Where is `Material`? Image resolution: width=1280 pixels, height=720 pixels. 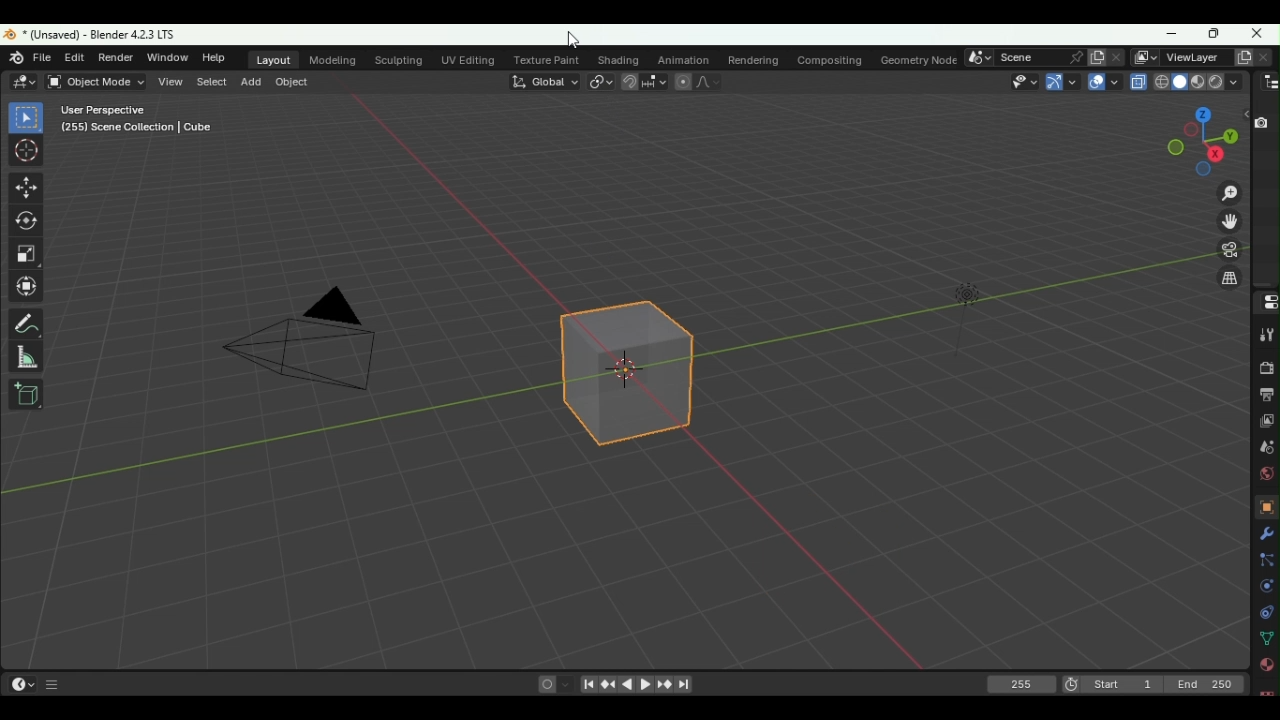 Material is located at coordinates (1267, 665).